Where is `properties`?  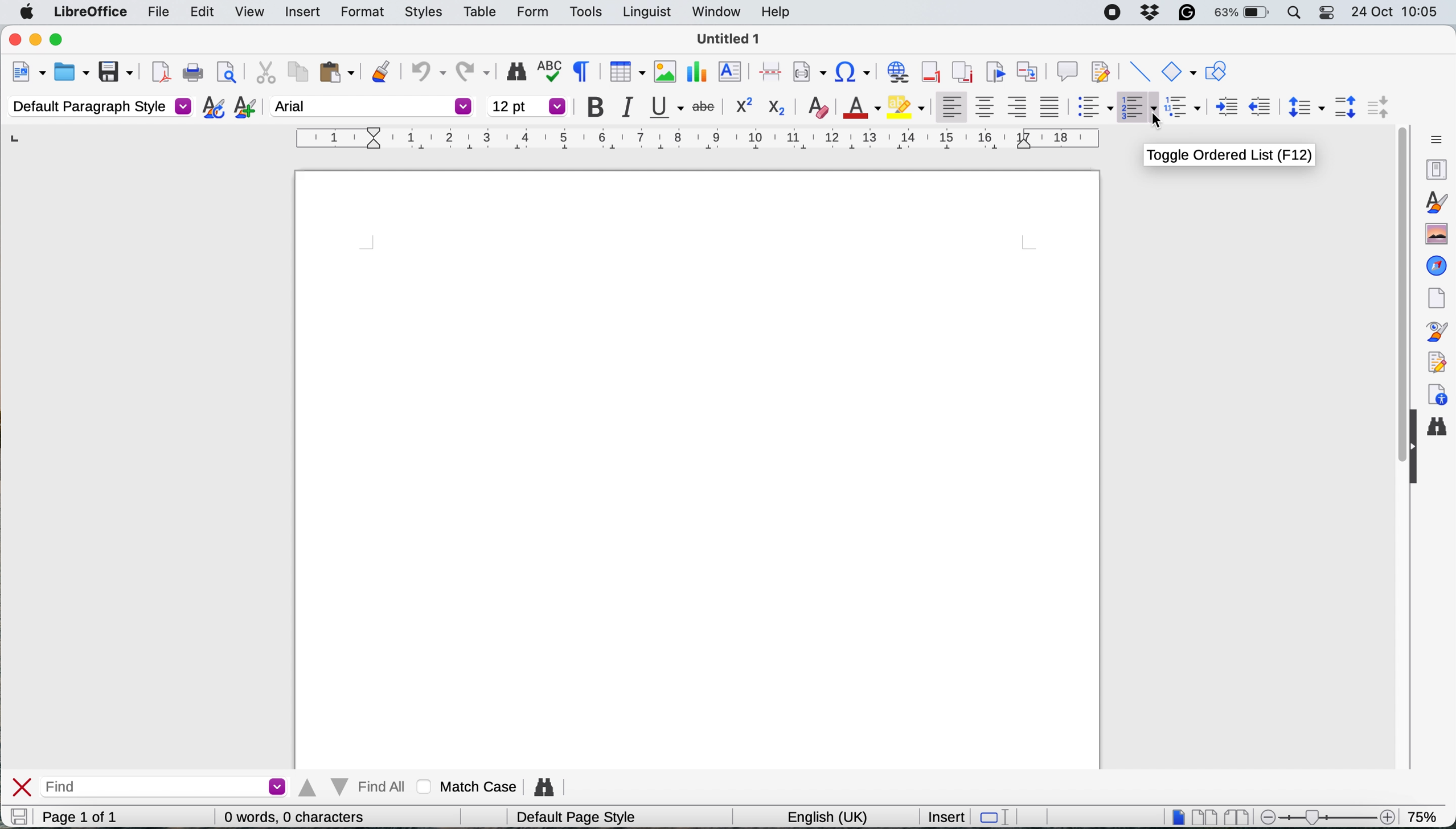 properties is located at coordinates (1431, 168).